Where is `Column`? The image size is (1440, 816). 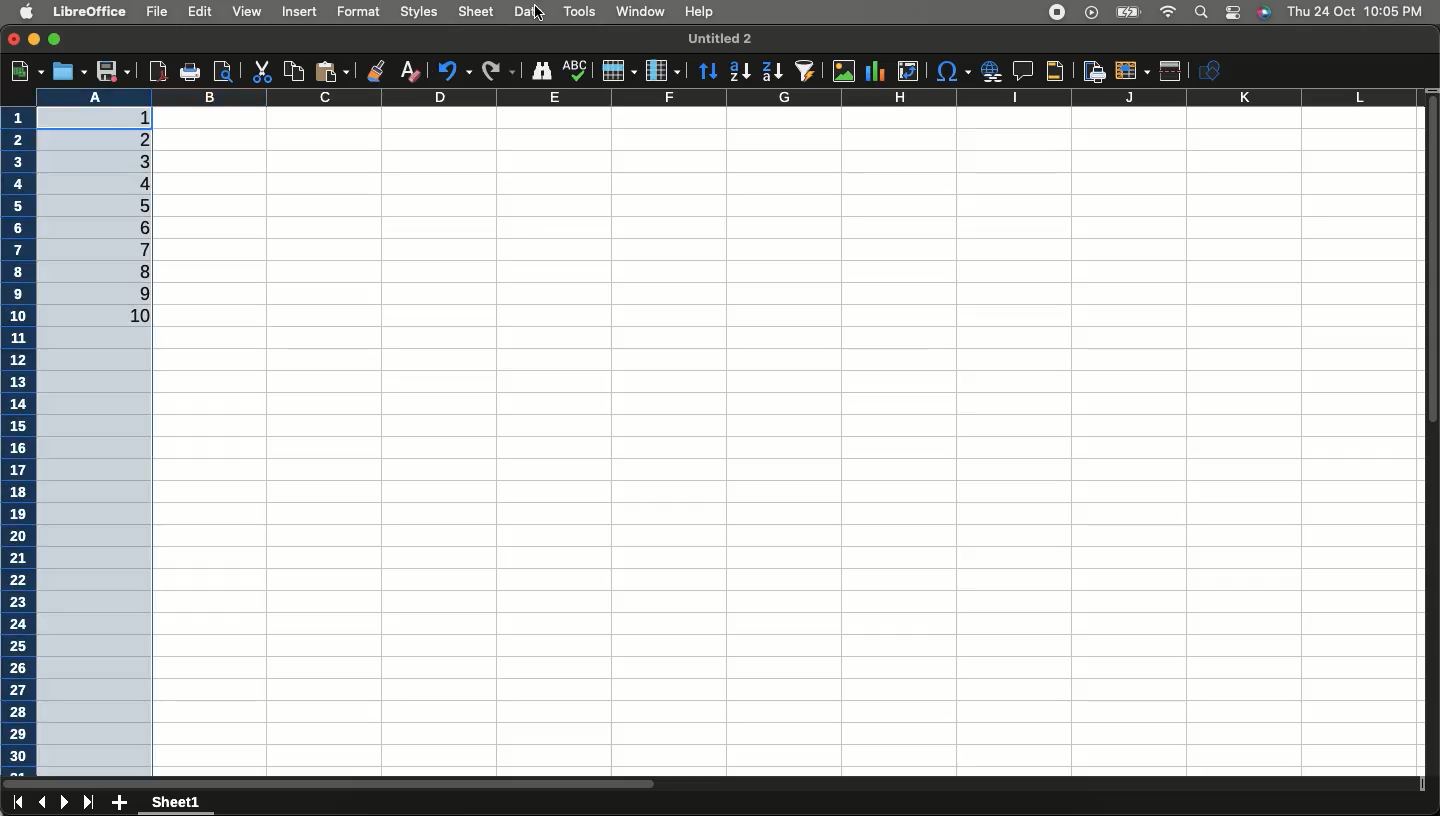 Column is located at coordinates (664, 68).